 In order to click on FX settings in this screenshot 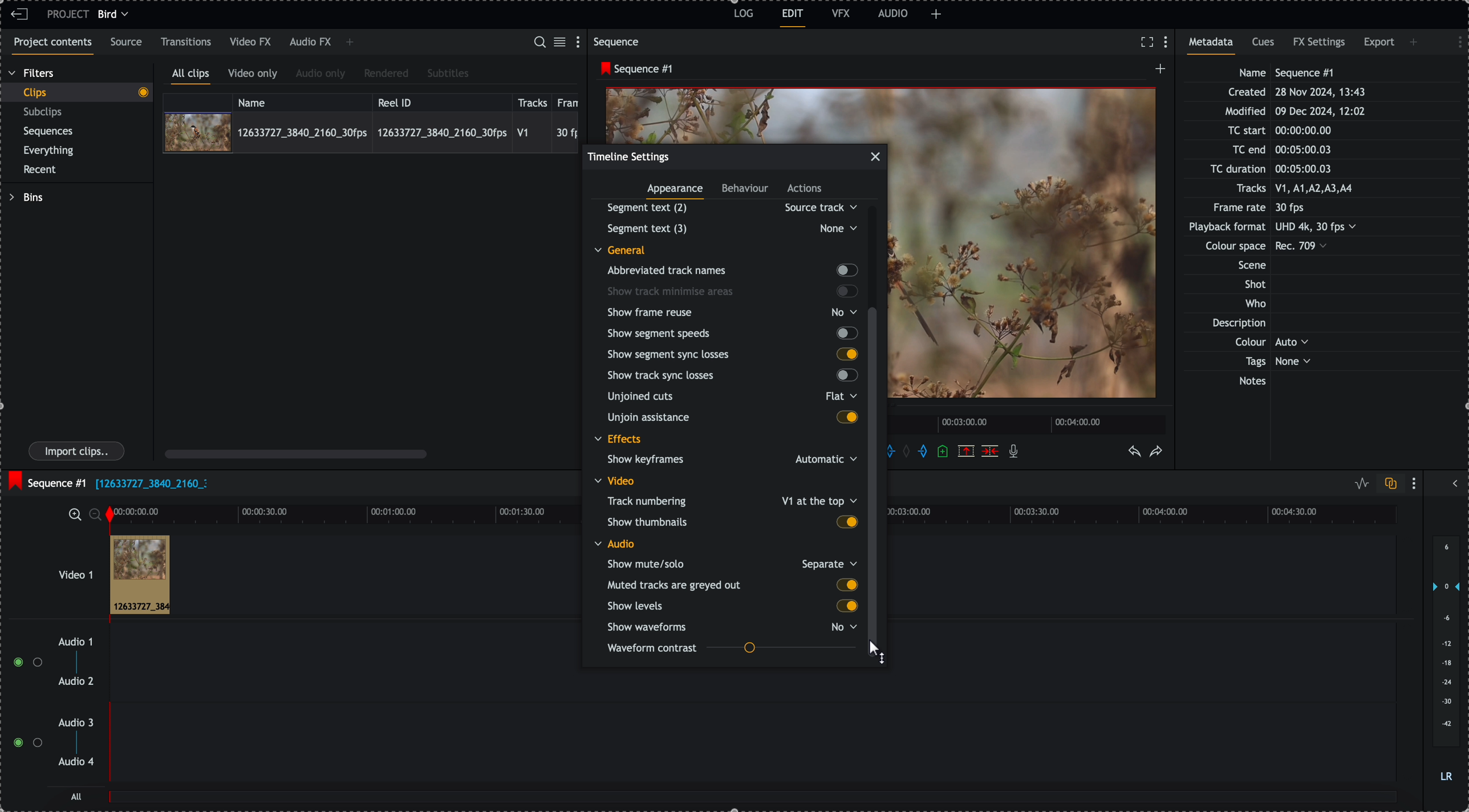, I will do `click(1320, 44)`.